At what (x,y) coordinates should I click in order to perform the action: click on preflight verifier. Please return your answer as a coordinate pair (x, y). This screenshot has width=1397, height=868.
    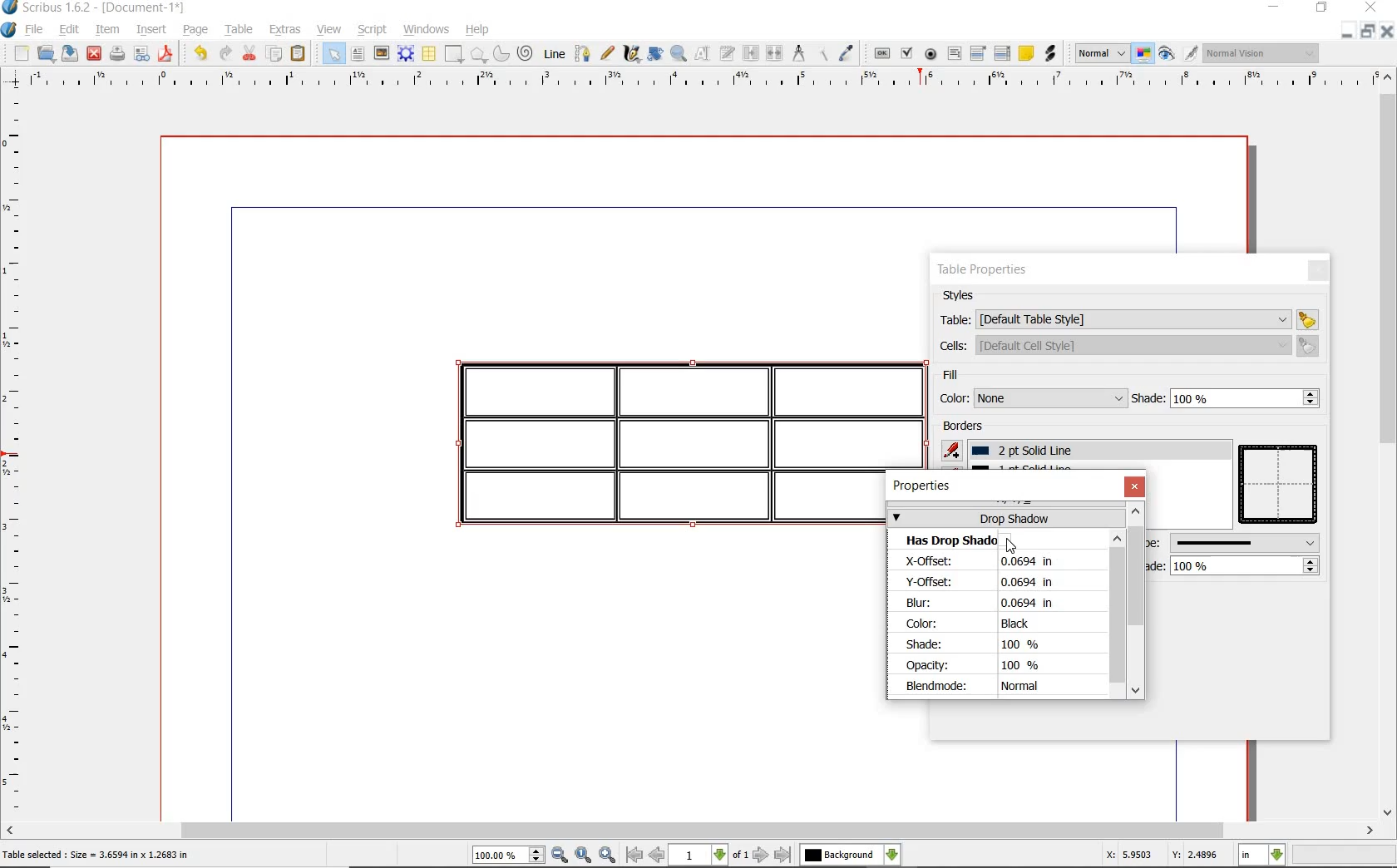
    Looking at the image, I should click on (140, 55).